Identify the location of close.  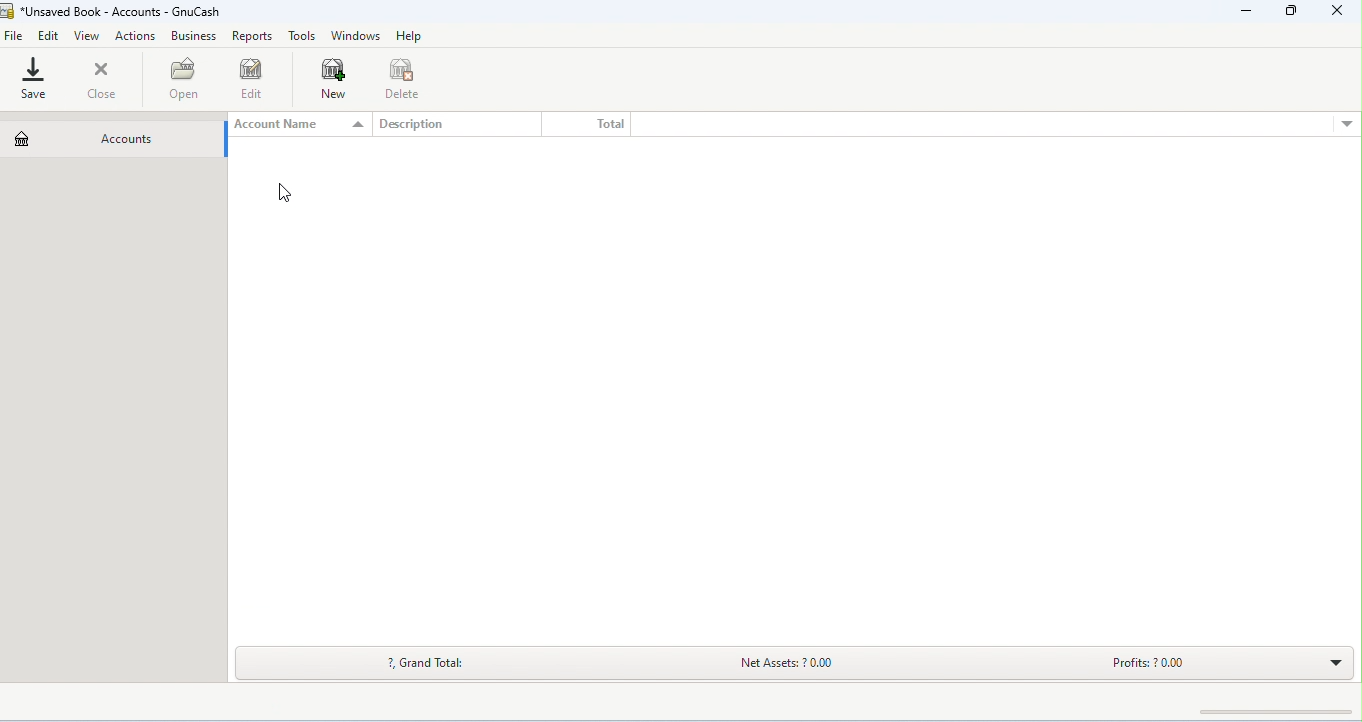
(101, 79).